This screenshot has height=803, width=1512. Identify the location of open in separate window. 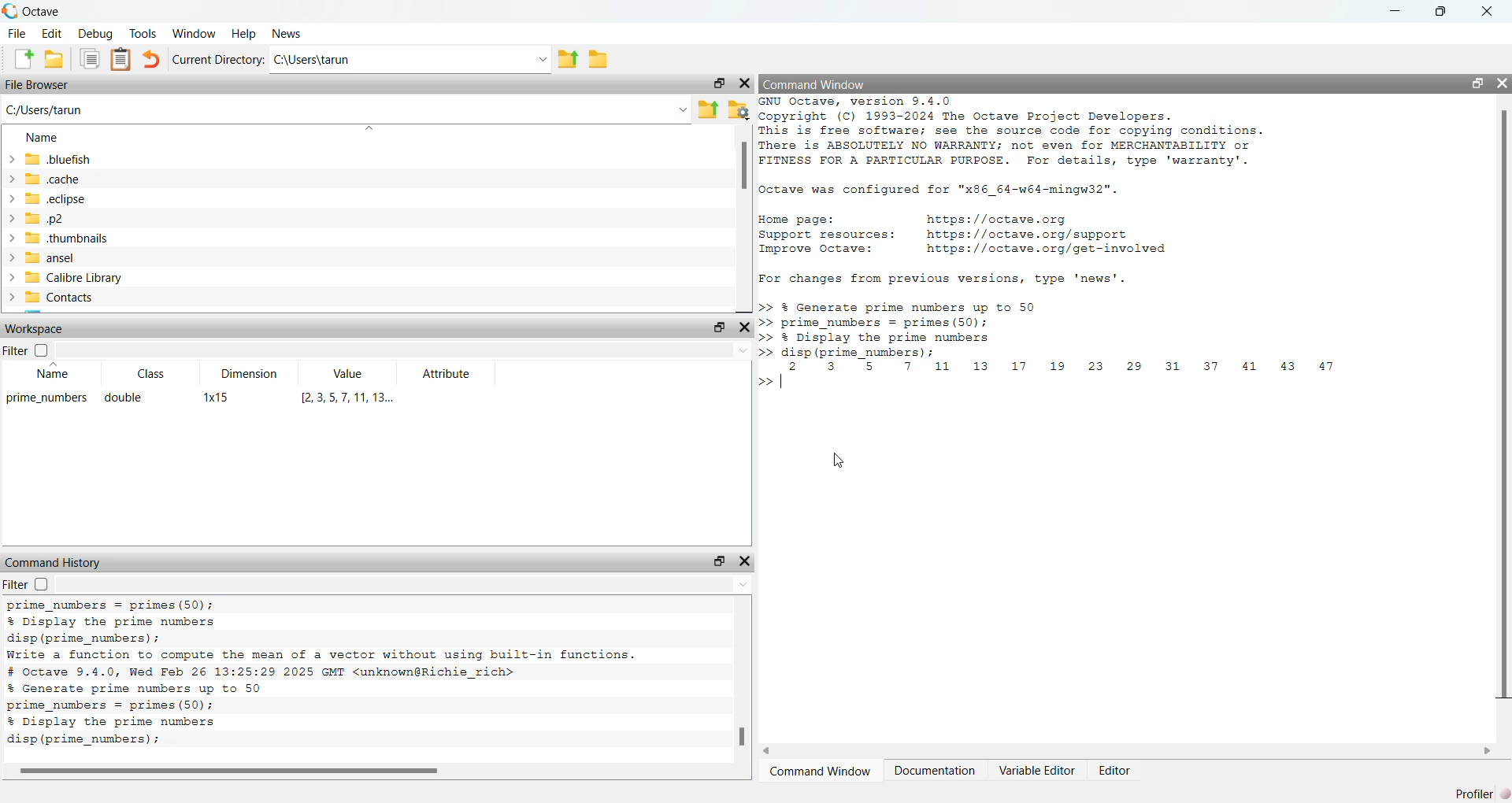
(718, 327).